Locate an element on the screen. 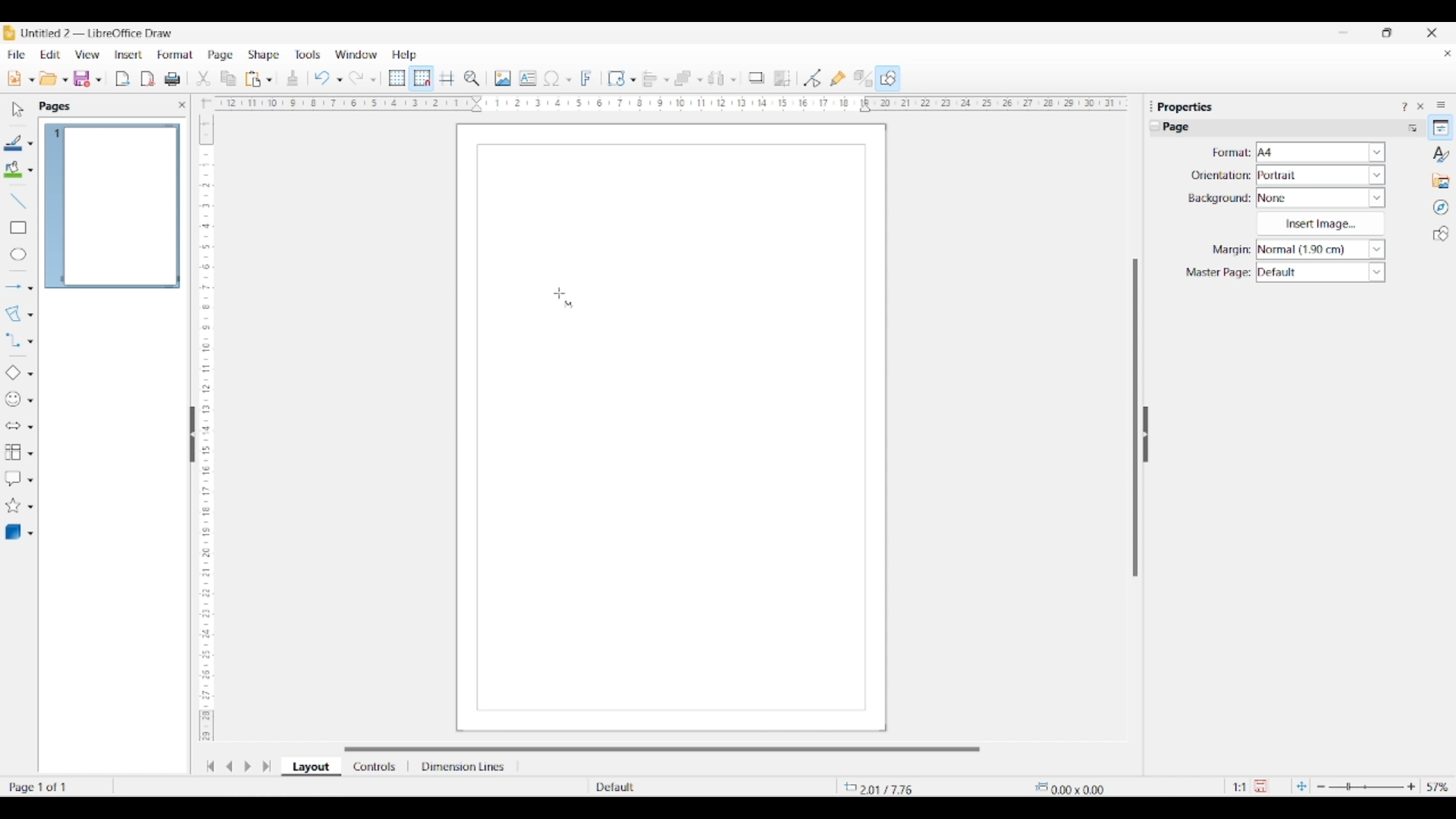 This screenshot has width=1456, height=819. Selected symbol is located at coordinates (14, 400).